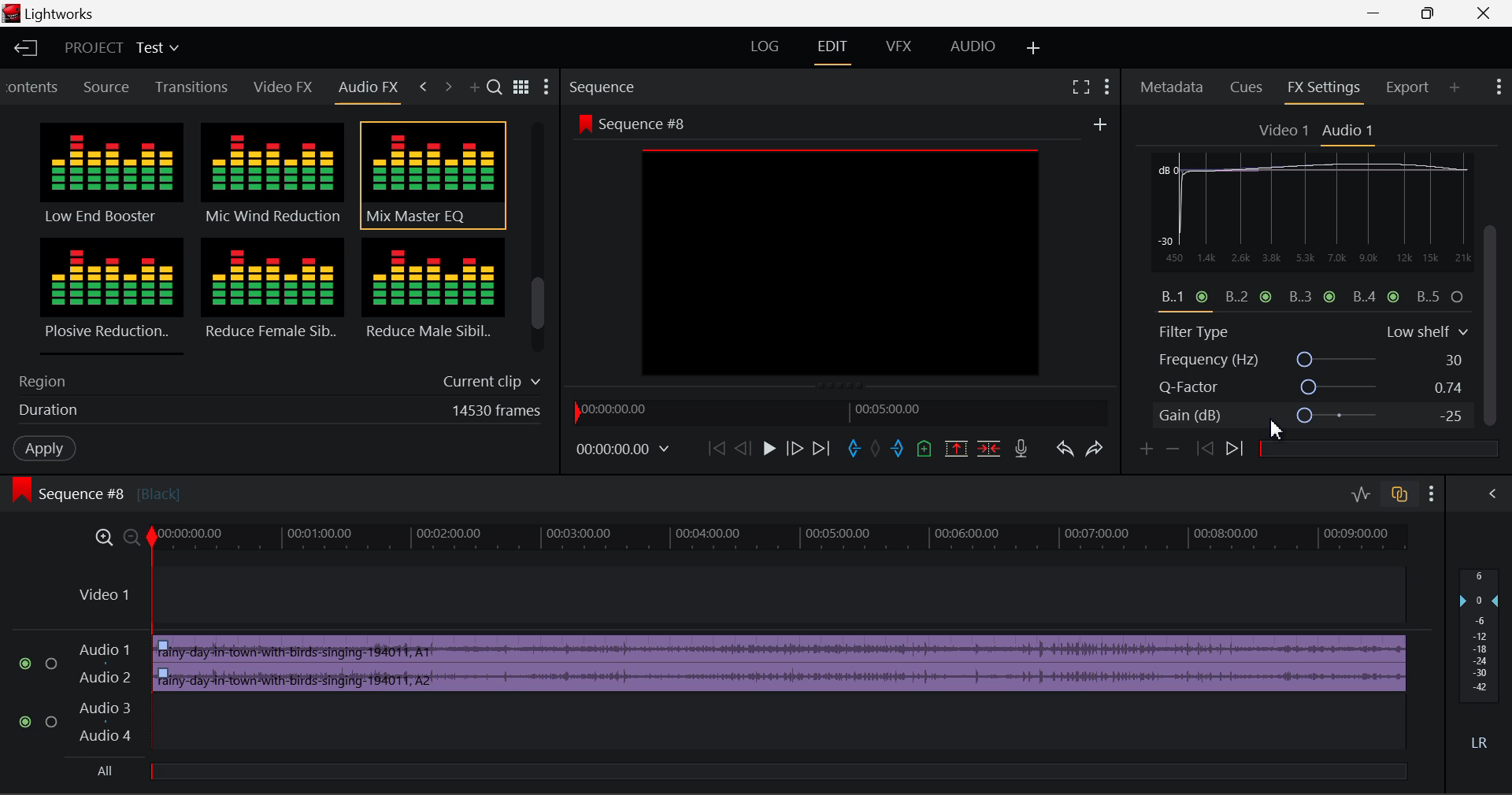  Describe the element at coordinates (524, 85) in the screenshot. I see `Toggle between title and list view` at that location.